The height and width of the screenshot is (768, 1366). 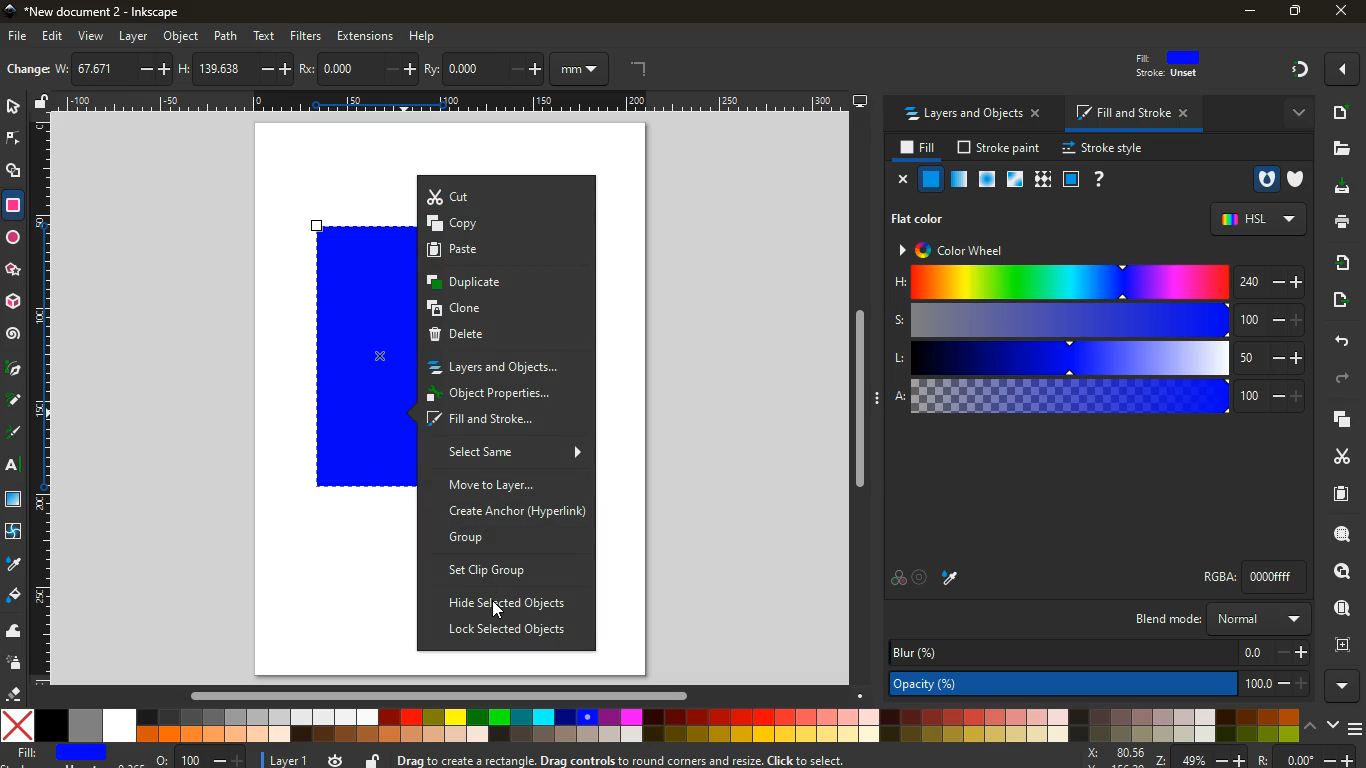 I want to click on more, so click(x=1345, y=684).